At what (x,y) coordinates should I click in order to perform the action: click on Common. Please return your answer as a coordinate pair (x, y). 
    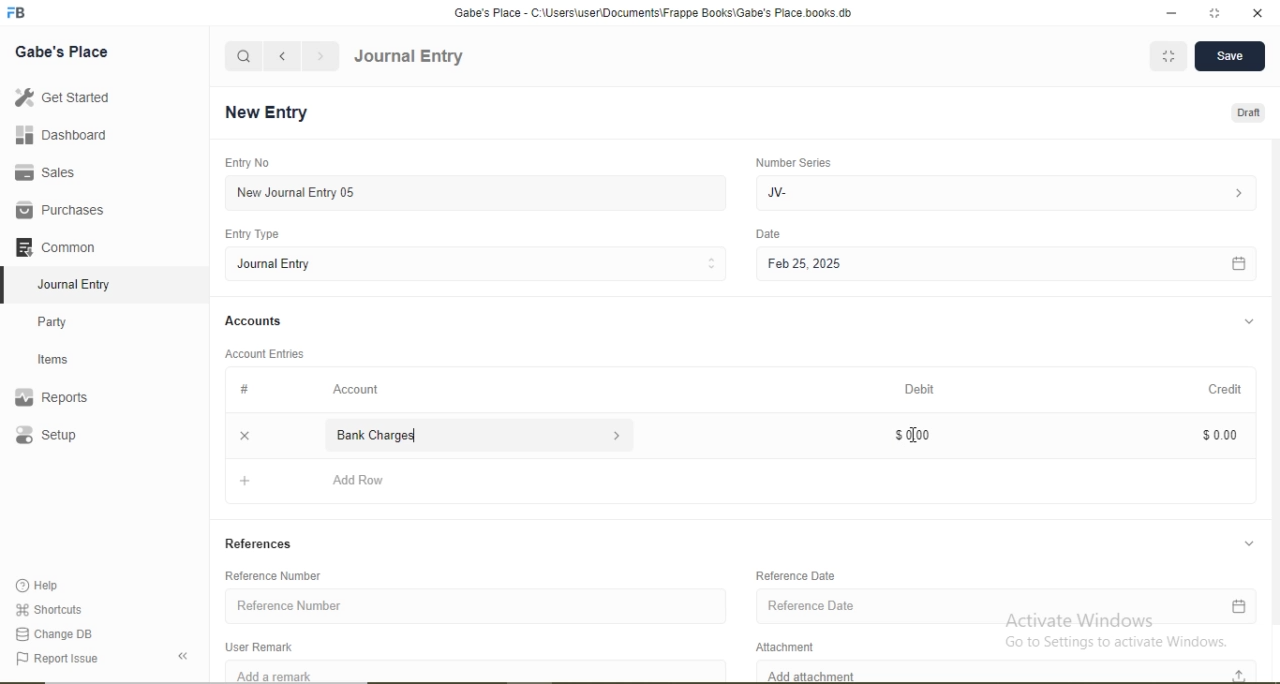
    Looking at the image, I should click on (60, 245).